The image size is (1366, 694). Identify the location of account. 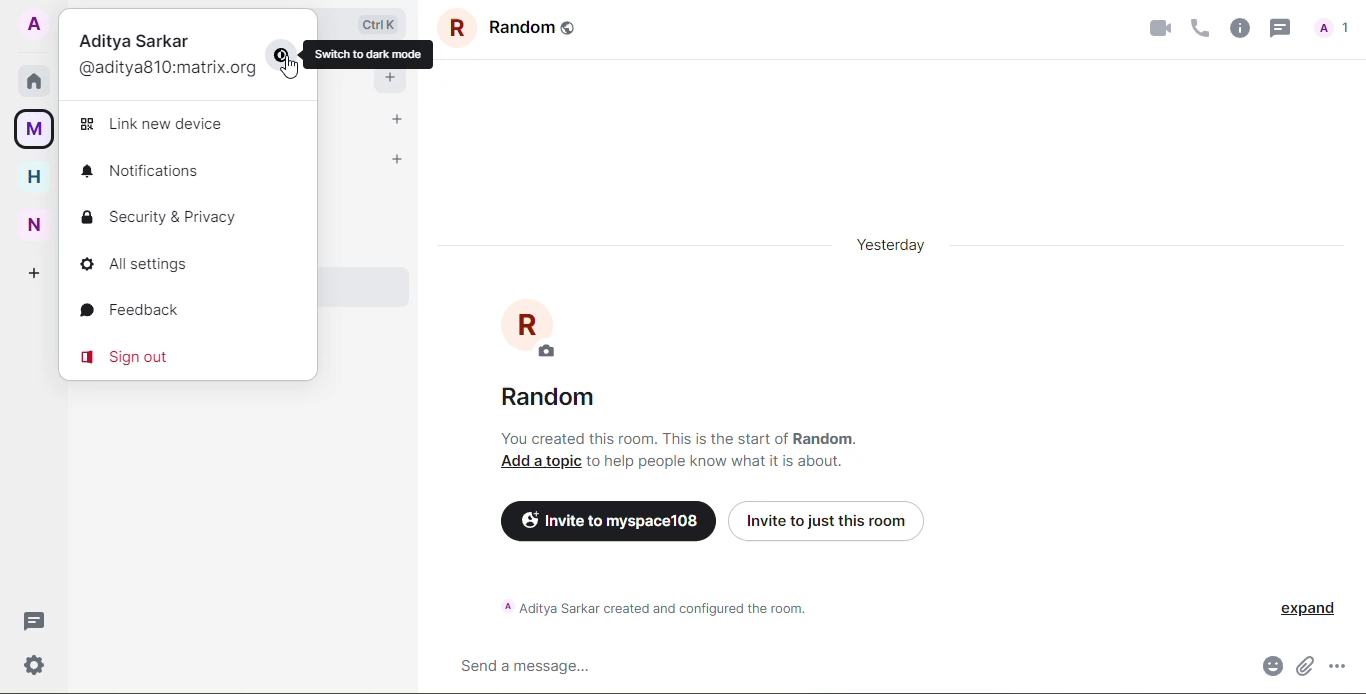
(34, 25).